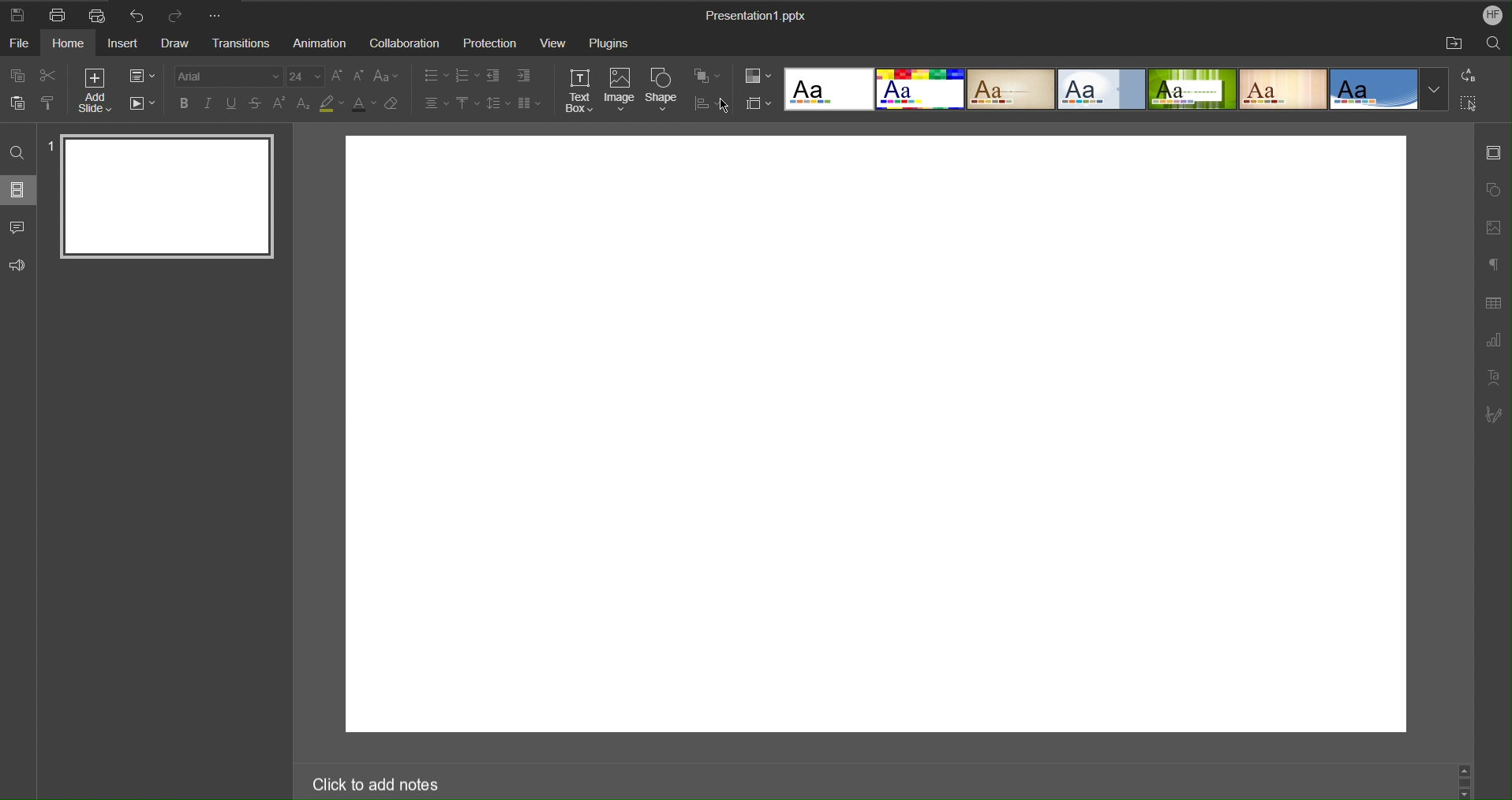 The height and width of the screenshot is (800, 1512). I want to click on Comments, so click(19, 227).